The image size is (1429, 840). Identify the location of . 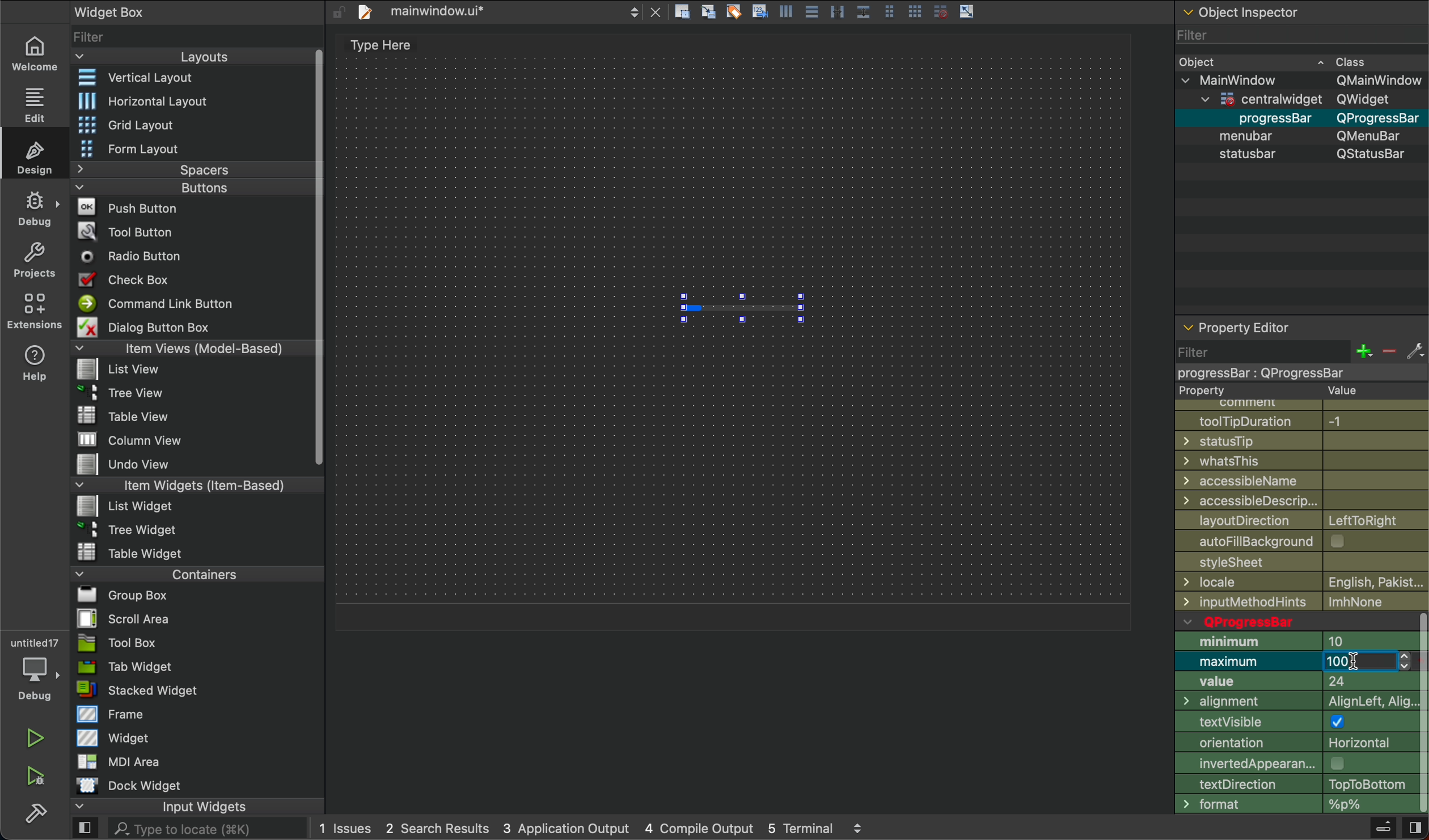
(1300, 564).